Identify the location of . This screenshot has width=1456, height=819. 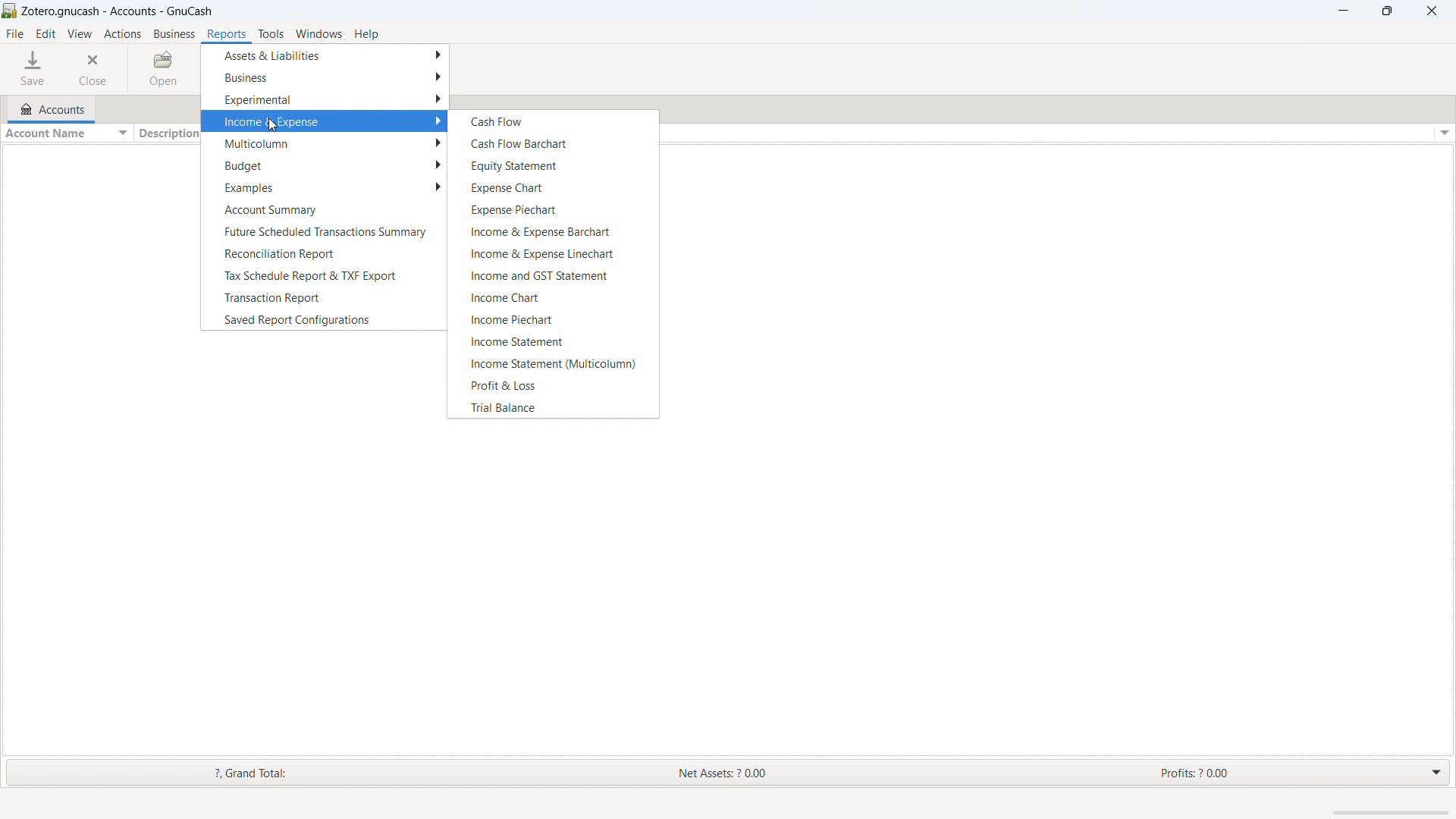
(324, 121).